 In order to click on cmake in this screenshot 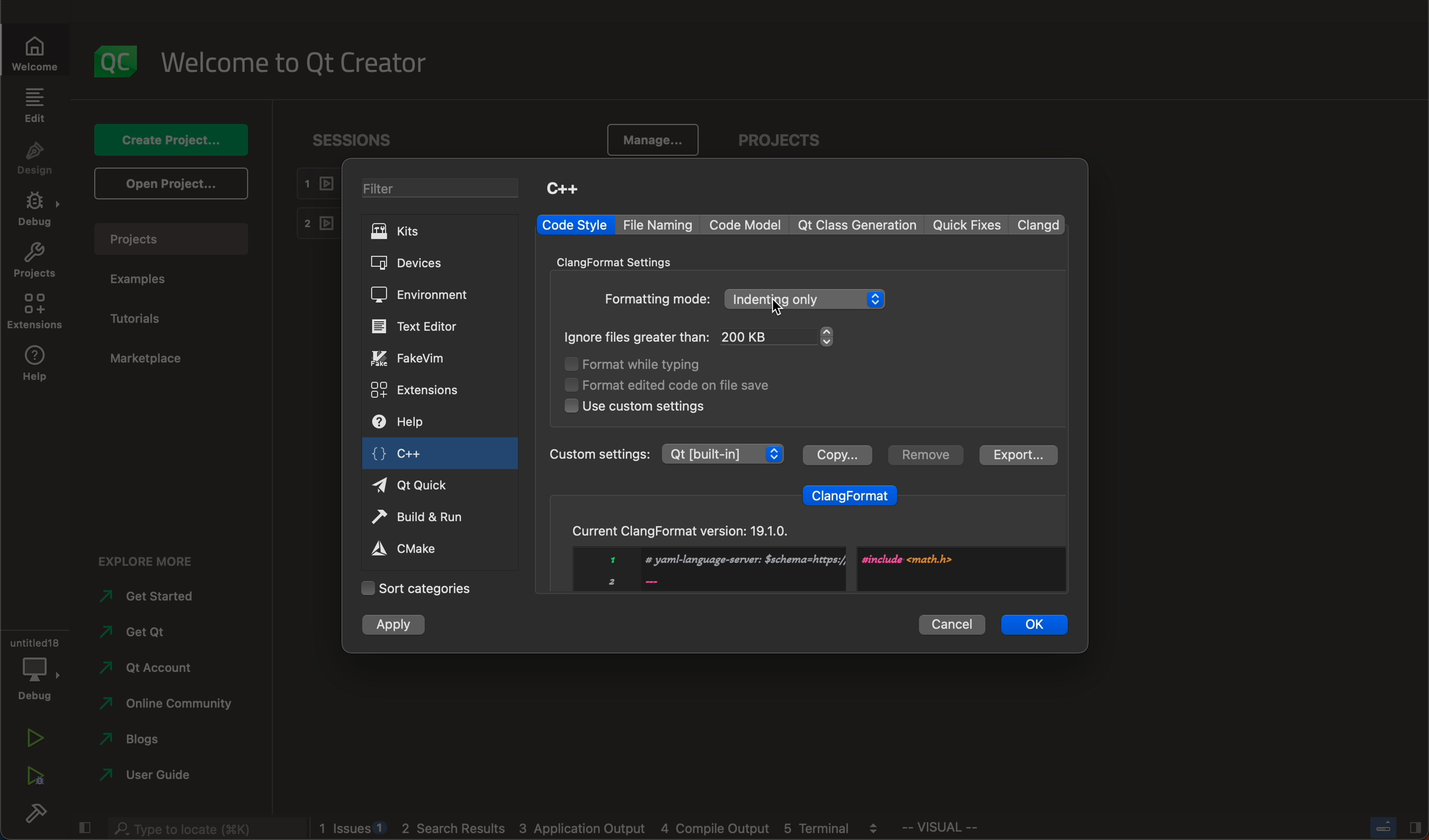, I will do `click(417, 548)`.